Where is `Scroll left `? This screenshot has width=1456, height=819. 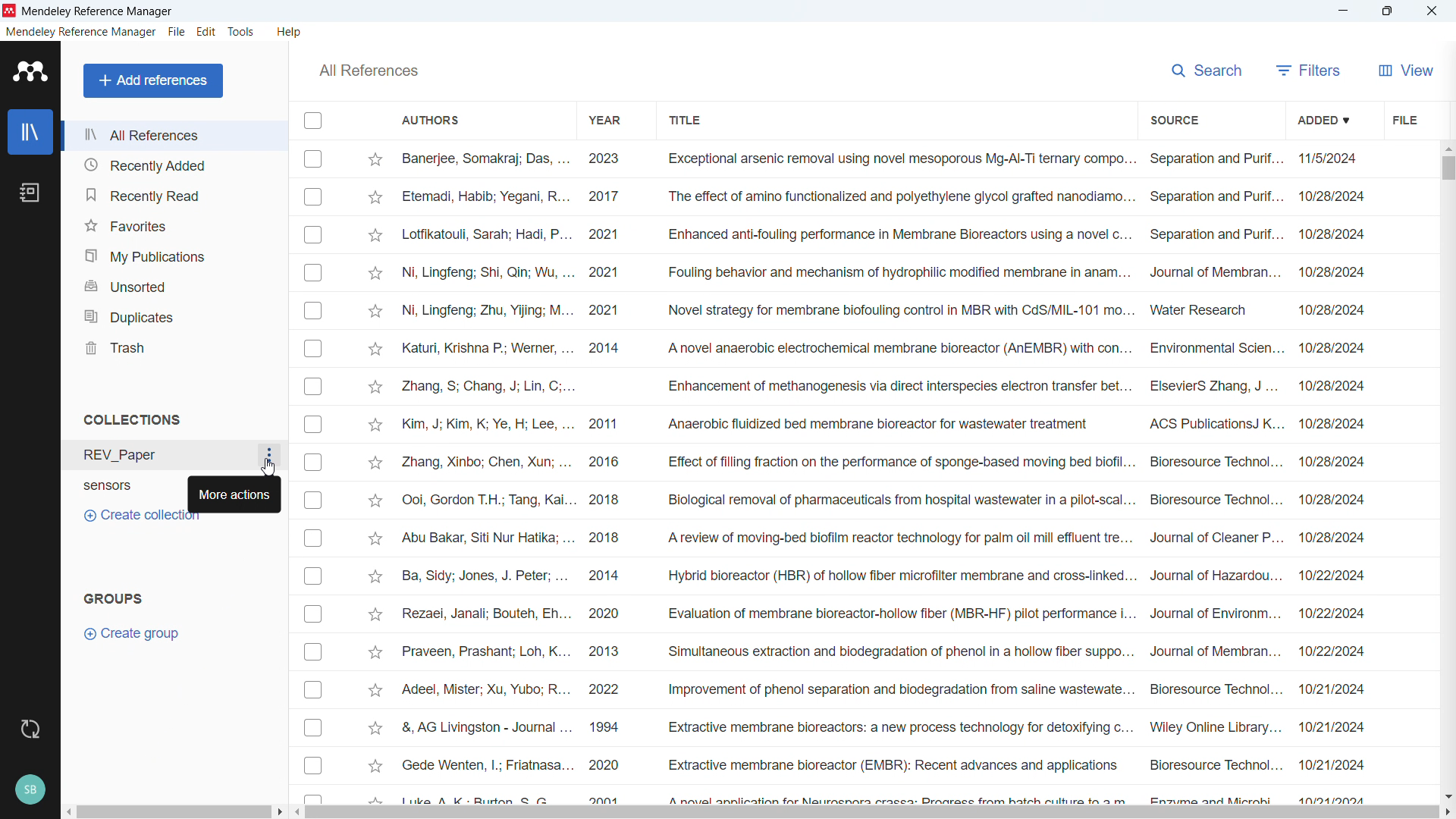 Scroll left  is located at coordinates (300, 812).